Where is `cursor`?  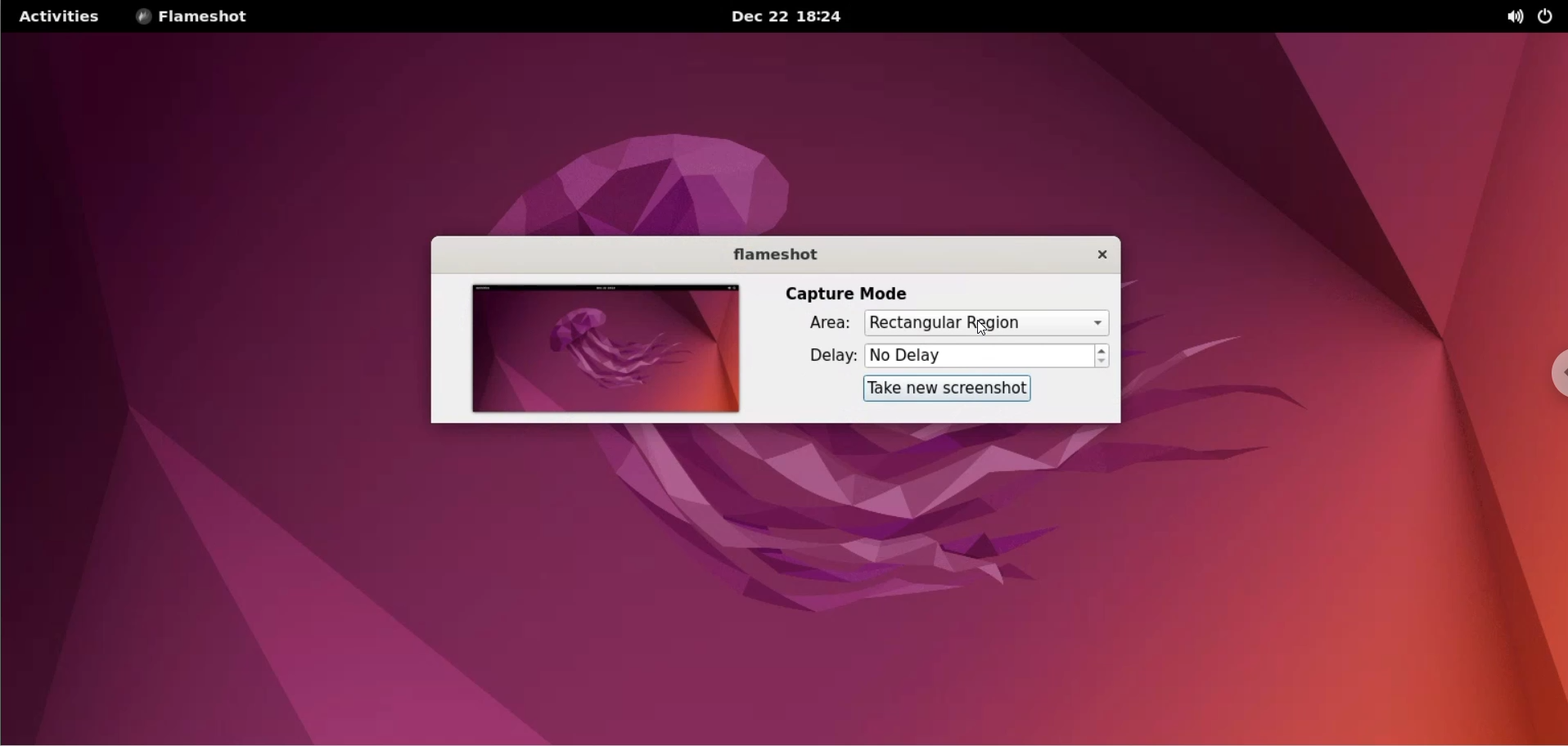 cursor is located at coordinates (985, 329).